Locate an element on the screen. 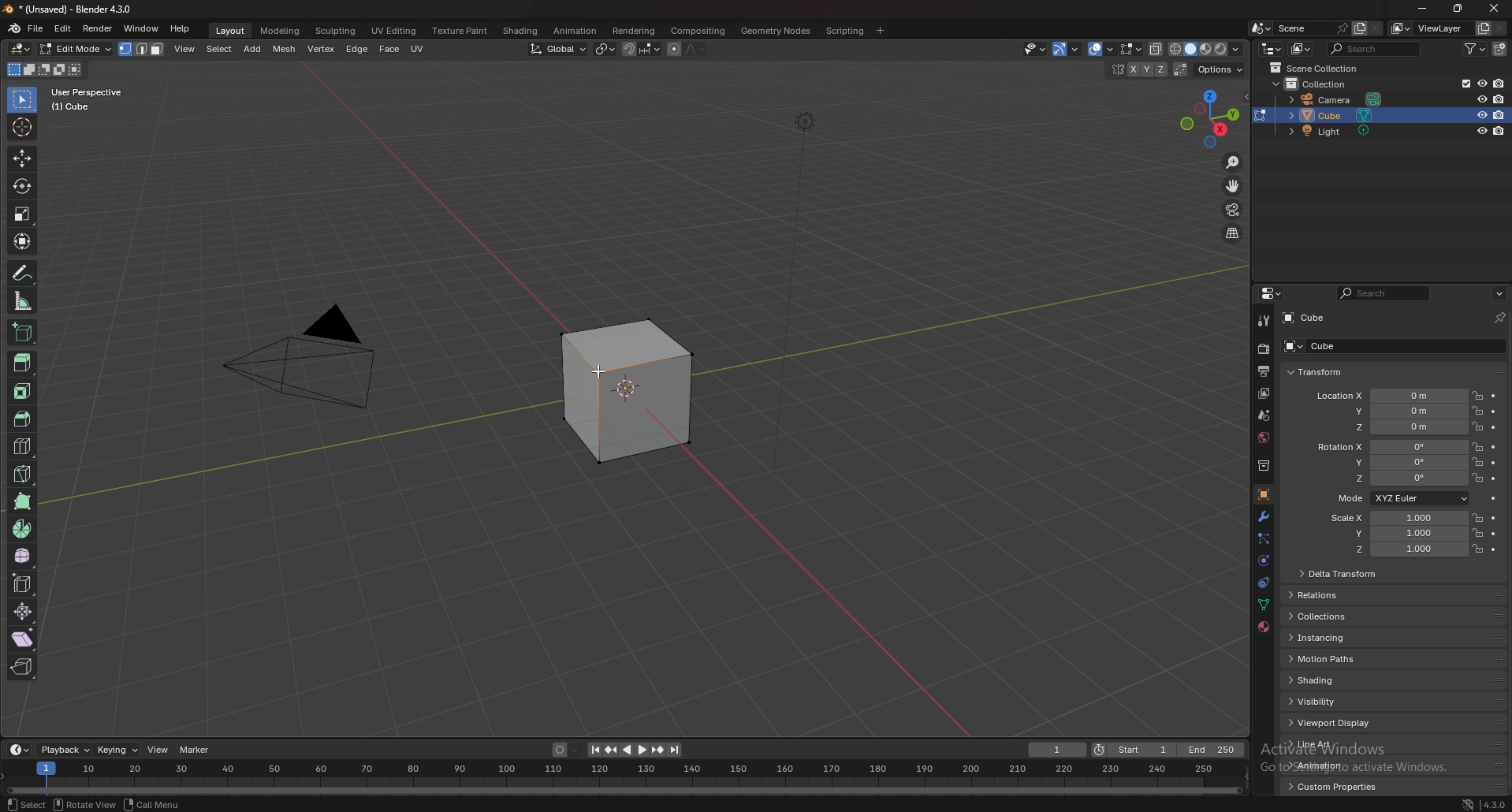 The width and height of the screenshot is (1512, 812). lock location is located at coordinates (1477, 549).